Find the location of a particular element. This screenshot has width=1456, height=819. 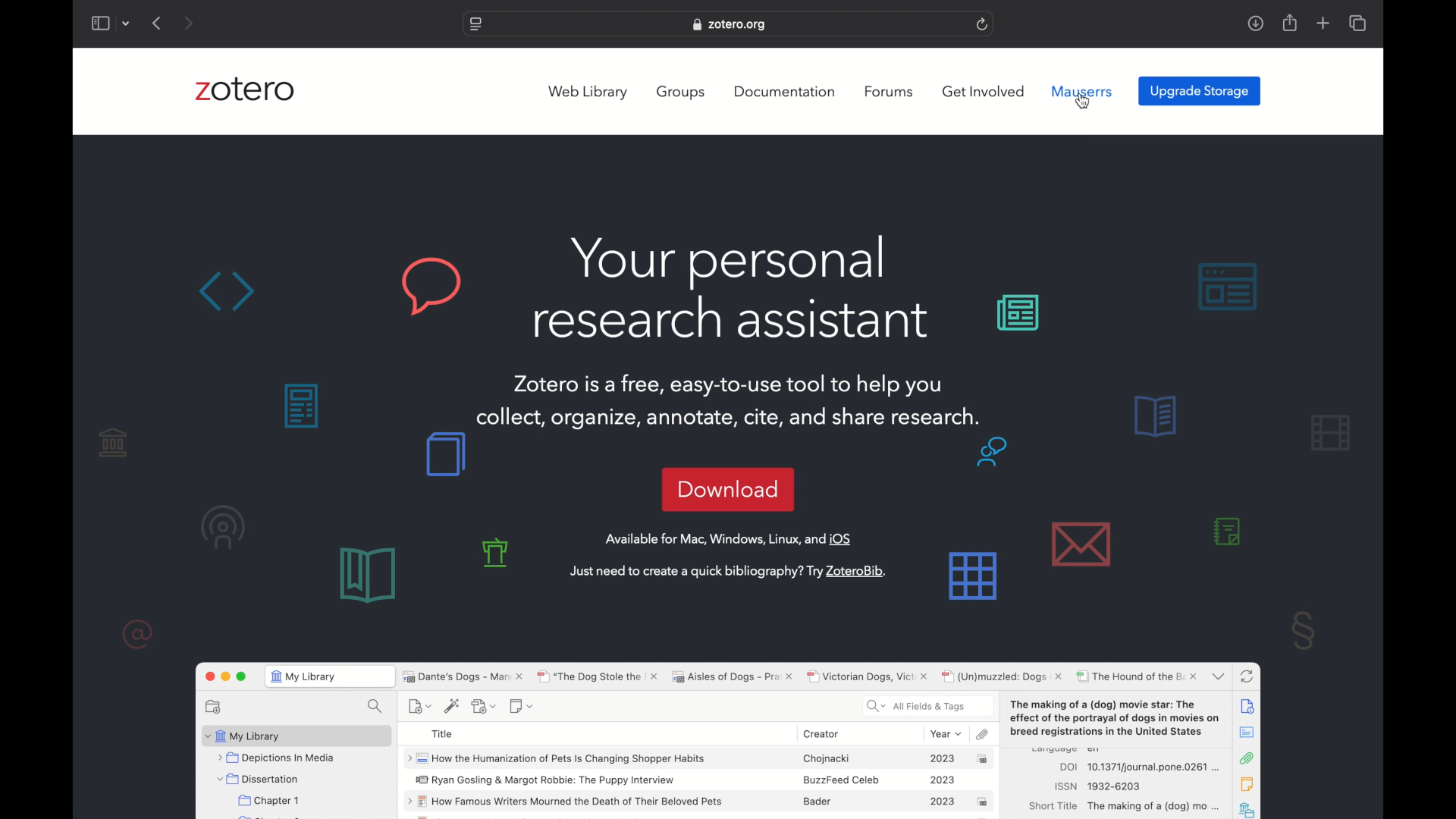

dropdown is located at coordinates (127, 24).